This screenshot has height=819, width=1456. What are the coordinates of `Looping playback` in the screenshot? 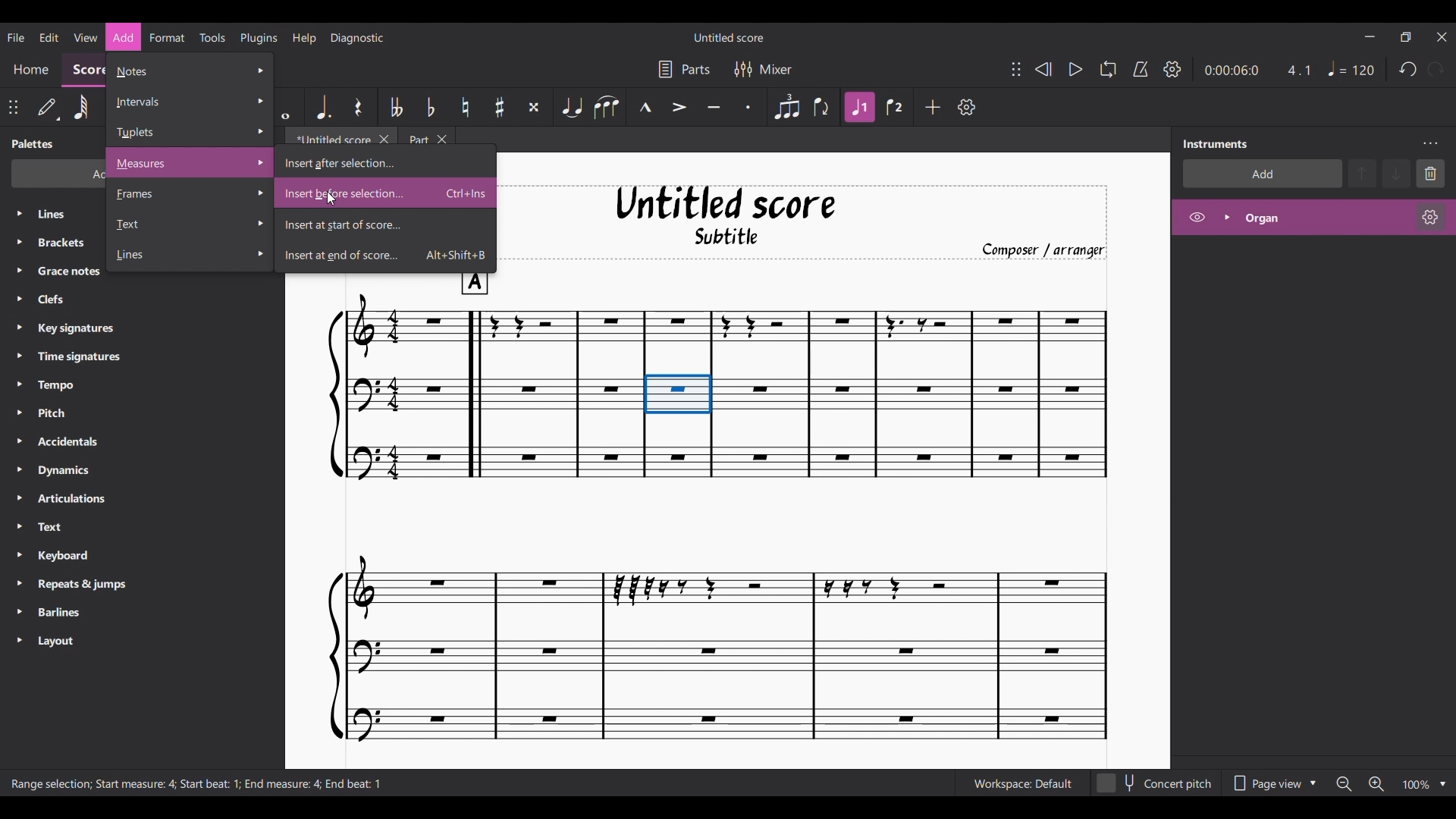 It's located at (1107, 69).